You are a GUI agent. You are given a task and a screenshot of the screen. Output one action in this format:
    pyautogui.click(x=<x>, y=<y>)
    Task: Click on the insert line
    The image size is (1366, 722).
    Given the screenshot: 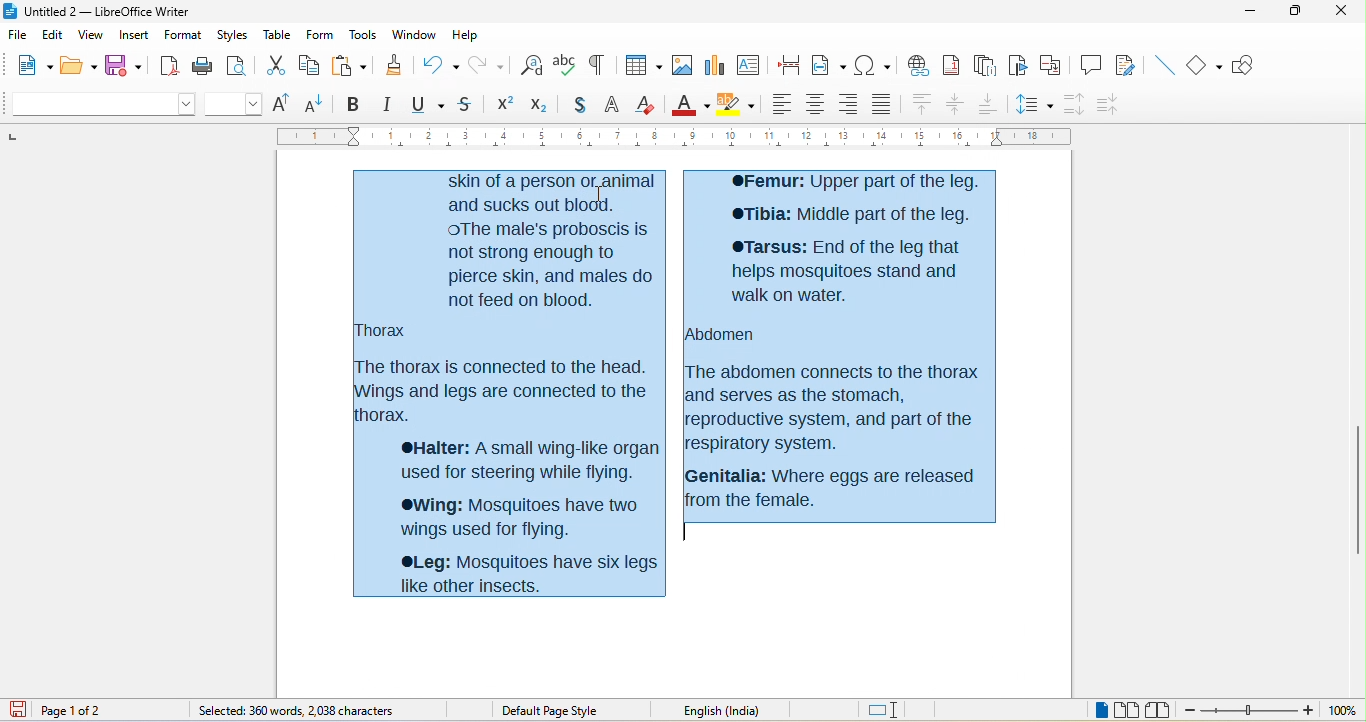 What is the action you would take?
    pyautogui.click(x=1167, y=65)
    